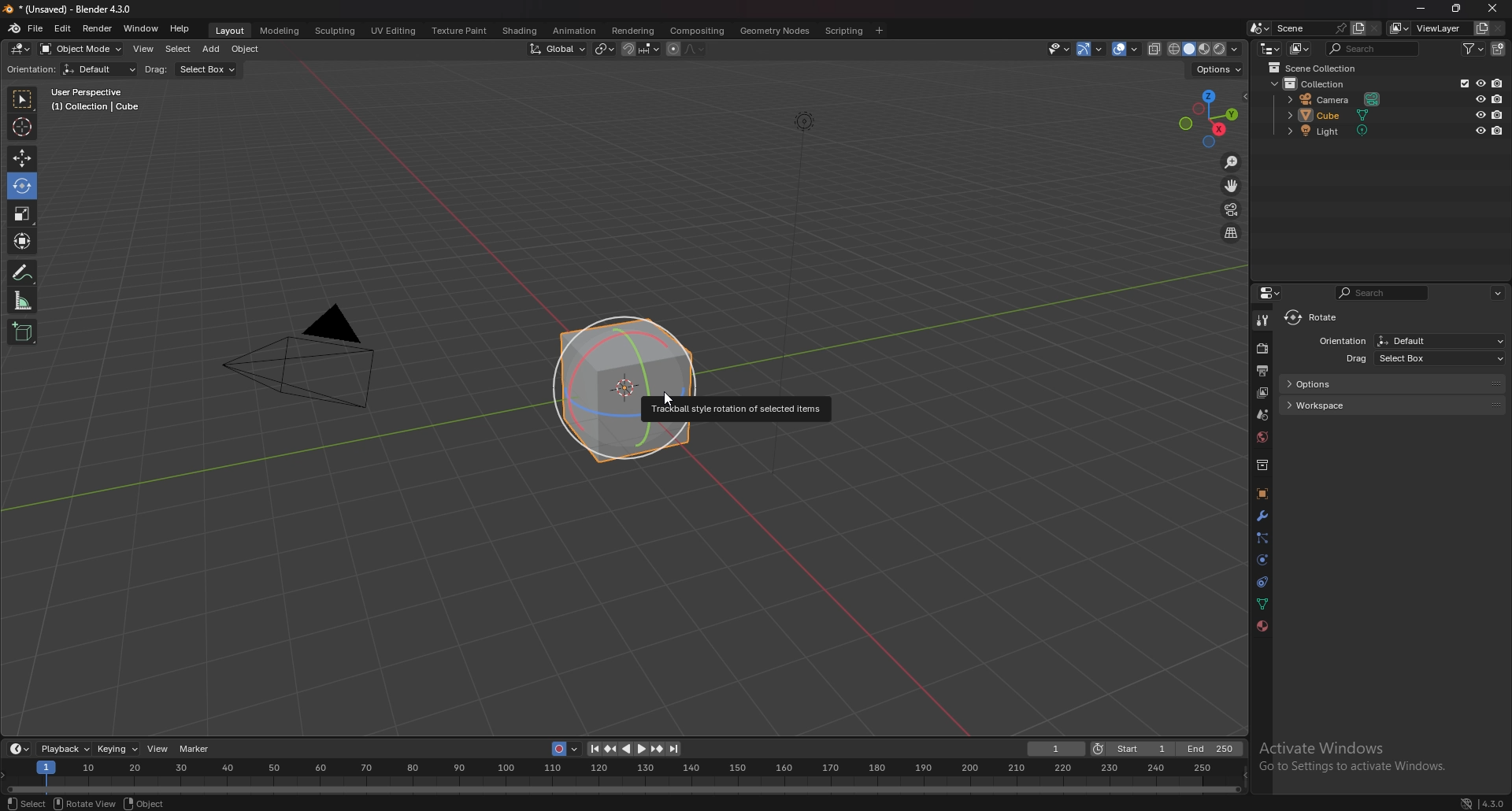 The width and height of the screenshot is (1512, 811). What do you see at coordinates (612, 750) in the screenshot?
I see `jump to keyframe` at bounding box center [612, 750].